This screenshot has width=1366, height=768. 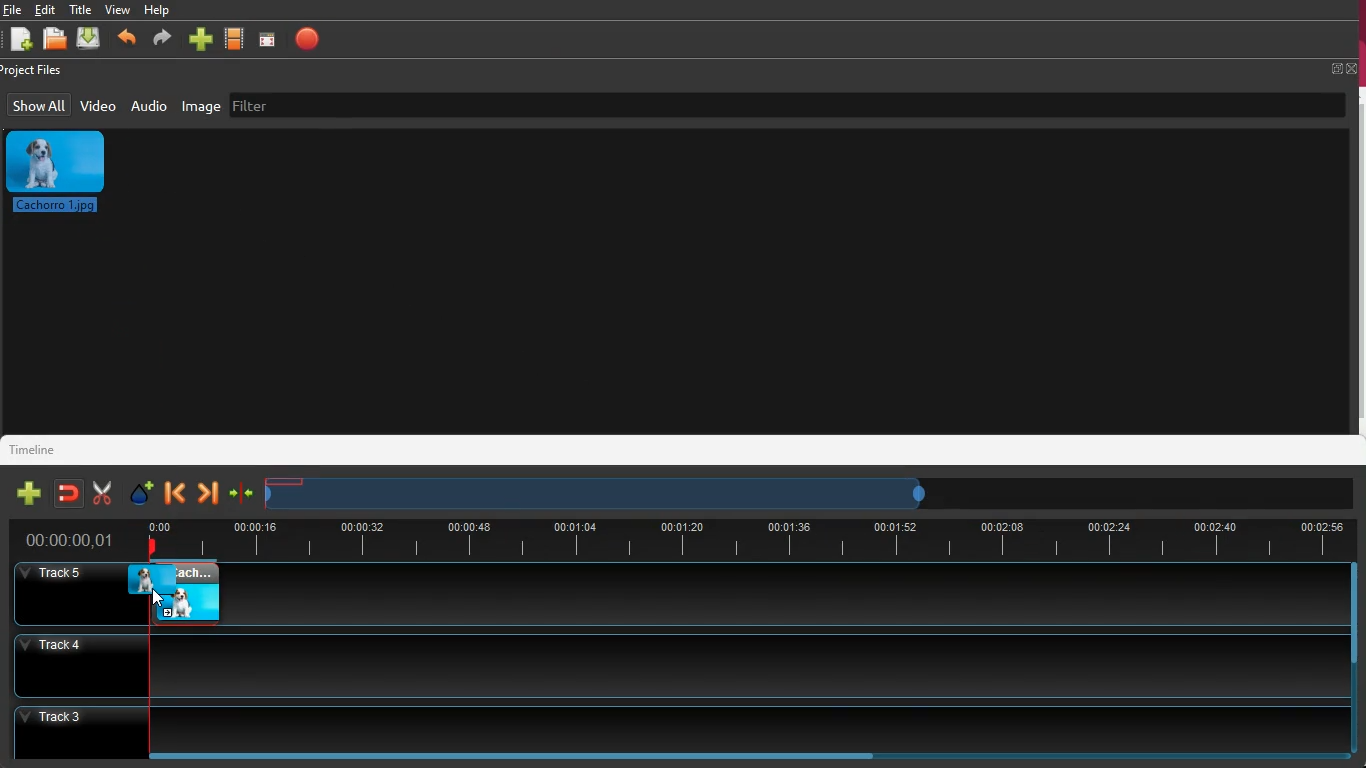 I want to click on join, so click(x=70, y=493).